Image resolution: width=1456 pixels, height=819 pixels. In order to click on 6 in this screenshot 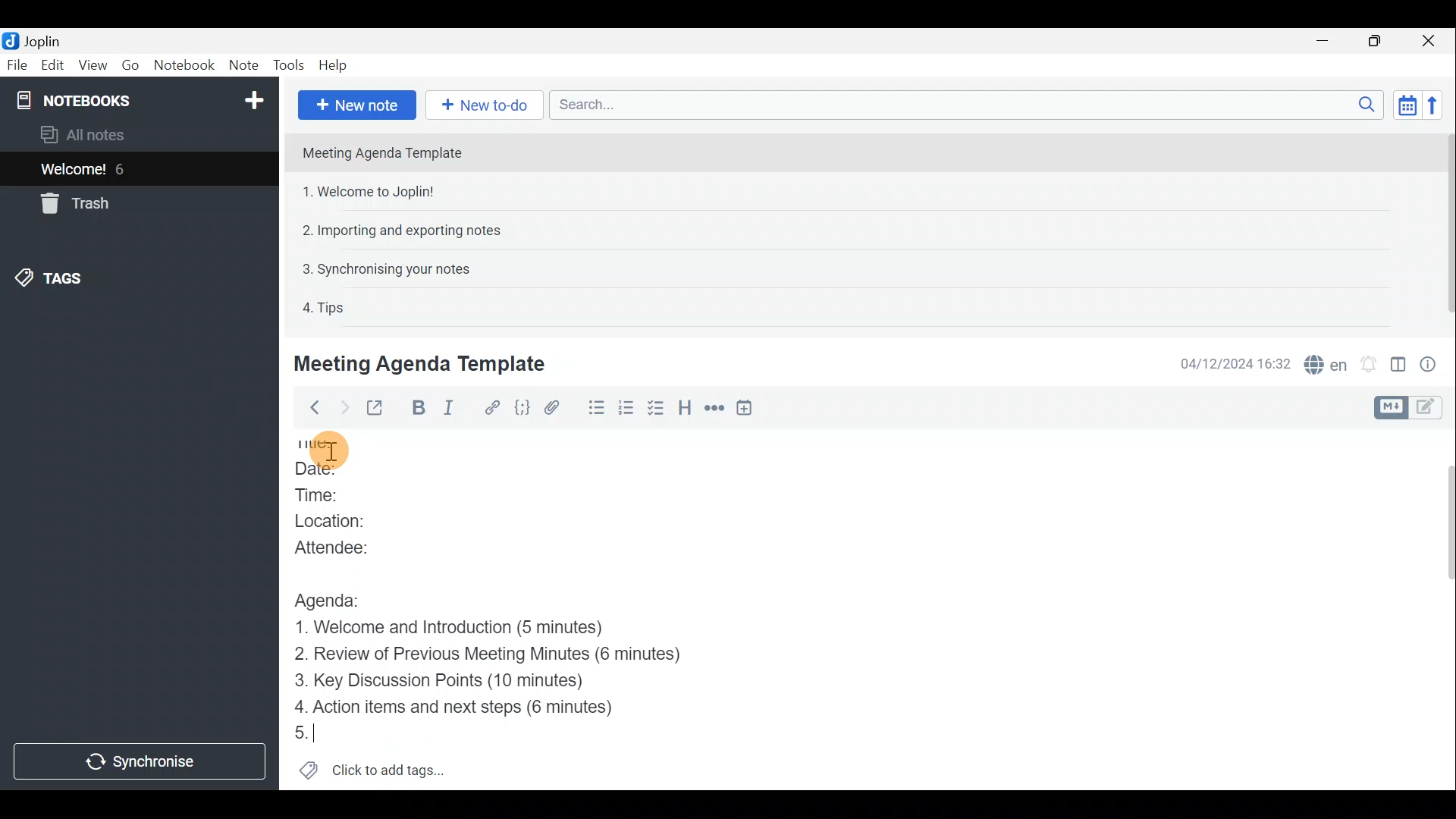, I will do `click(124, 169)`.